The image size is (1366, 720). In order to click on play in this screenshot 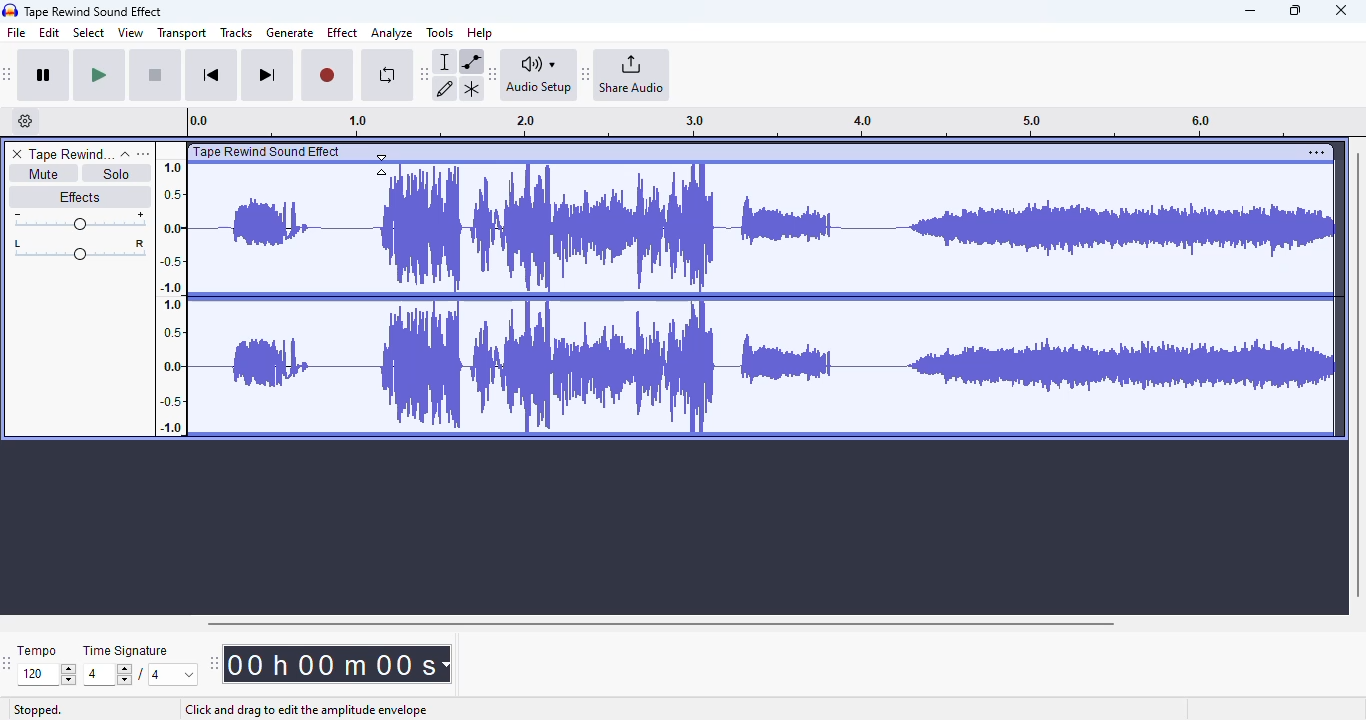, I will do `click(99, 76)`.